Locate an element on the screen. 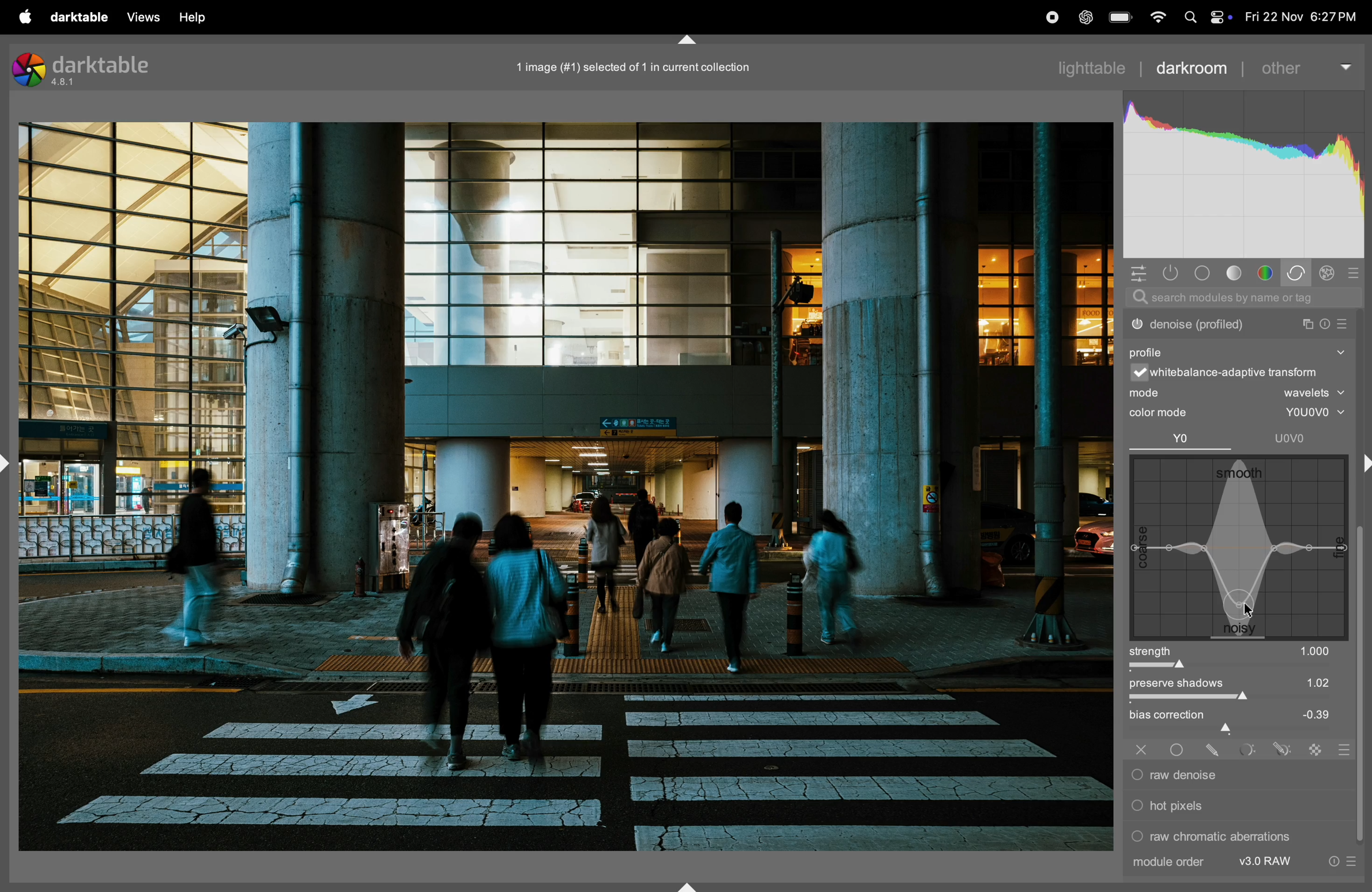  show is located at coordinates (1341, 354).